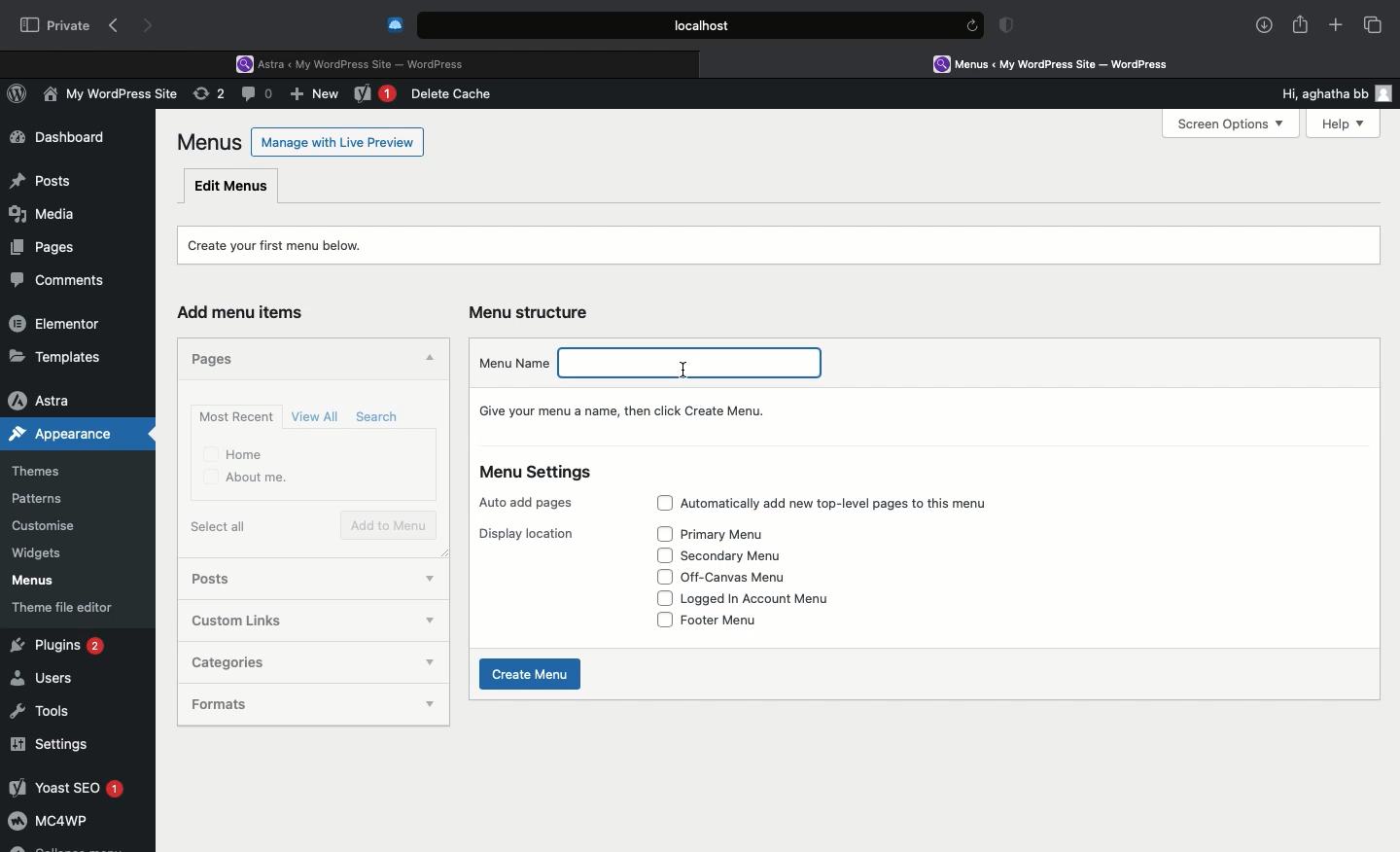  Describe the element at coordinates (107, 97) in the screenshot. I see `My WordPress Site` at that location.